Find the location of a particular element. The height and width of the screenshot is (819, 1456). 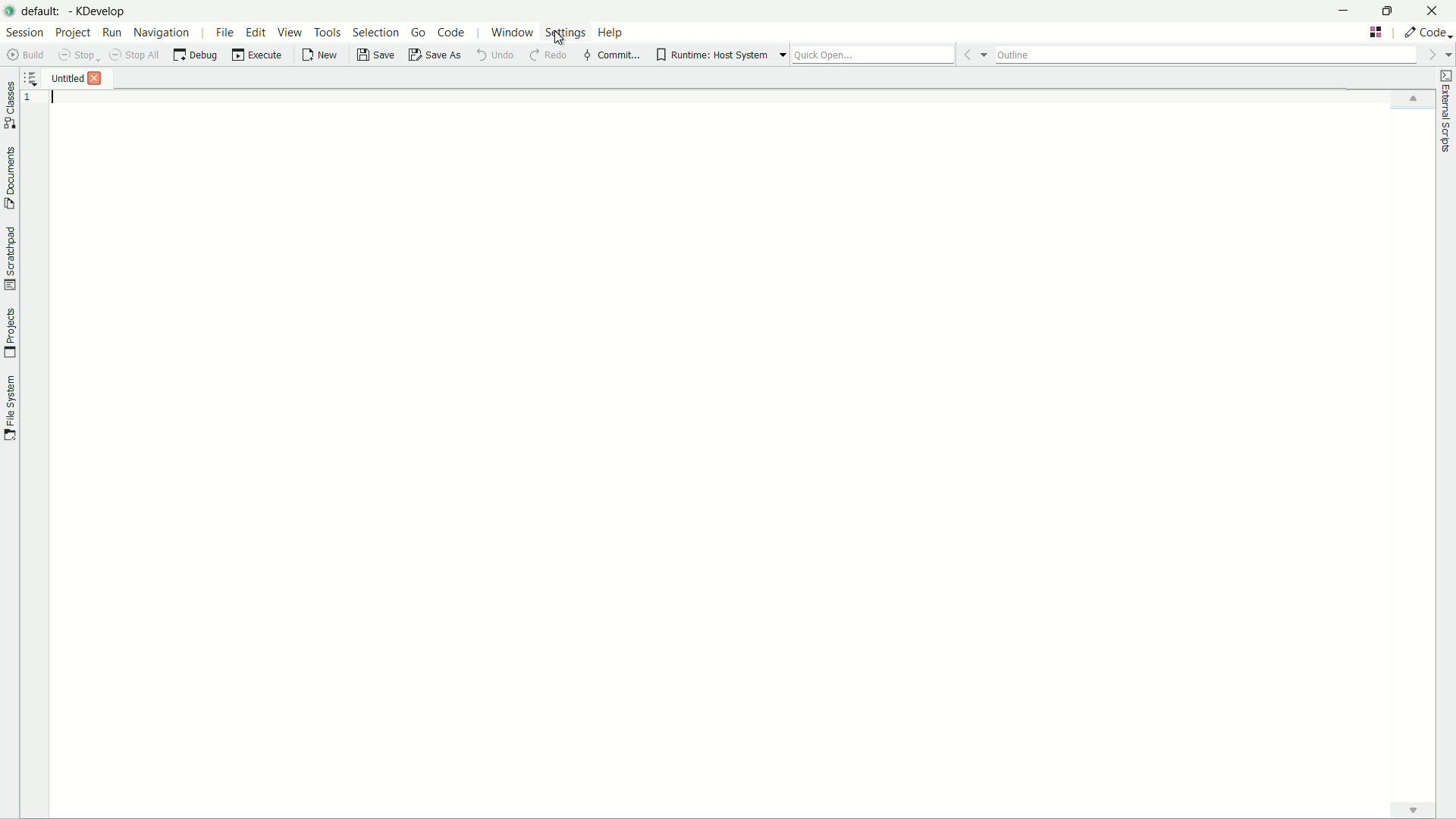

quick open is located at coordinates (873, 54).